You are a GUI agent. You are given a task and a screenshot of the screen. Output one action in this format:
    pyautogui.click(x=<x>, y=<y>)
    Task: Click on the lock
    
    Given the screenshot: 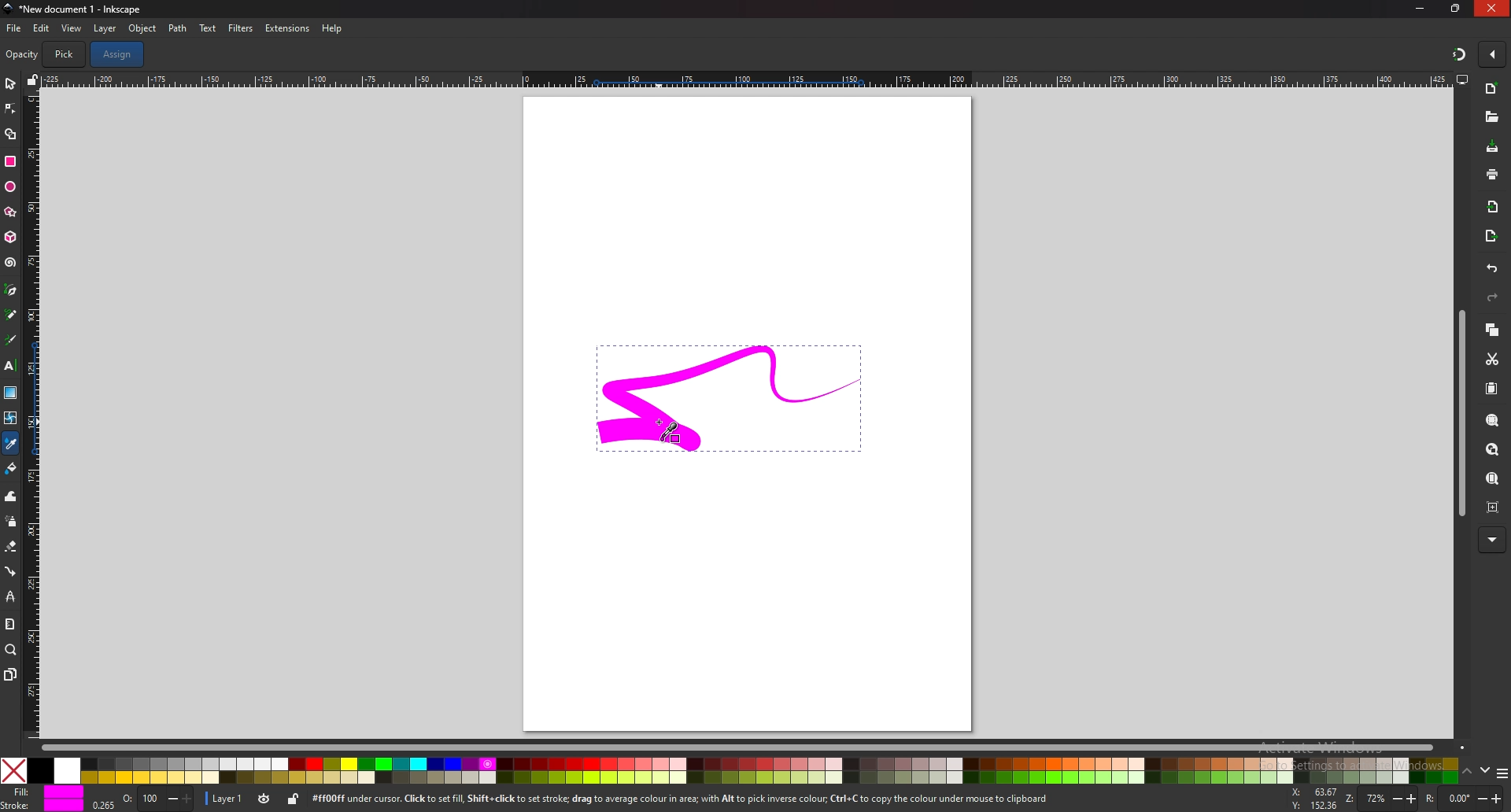 What is the action you would take?
    pyautogui.click(x=294, y=799)
    